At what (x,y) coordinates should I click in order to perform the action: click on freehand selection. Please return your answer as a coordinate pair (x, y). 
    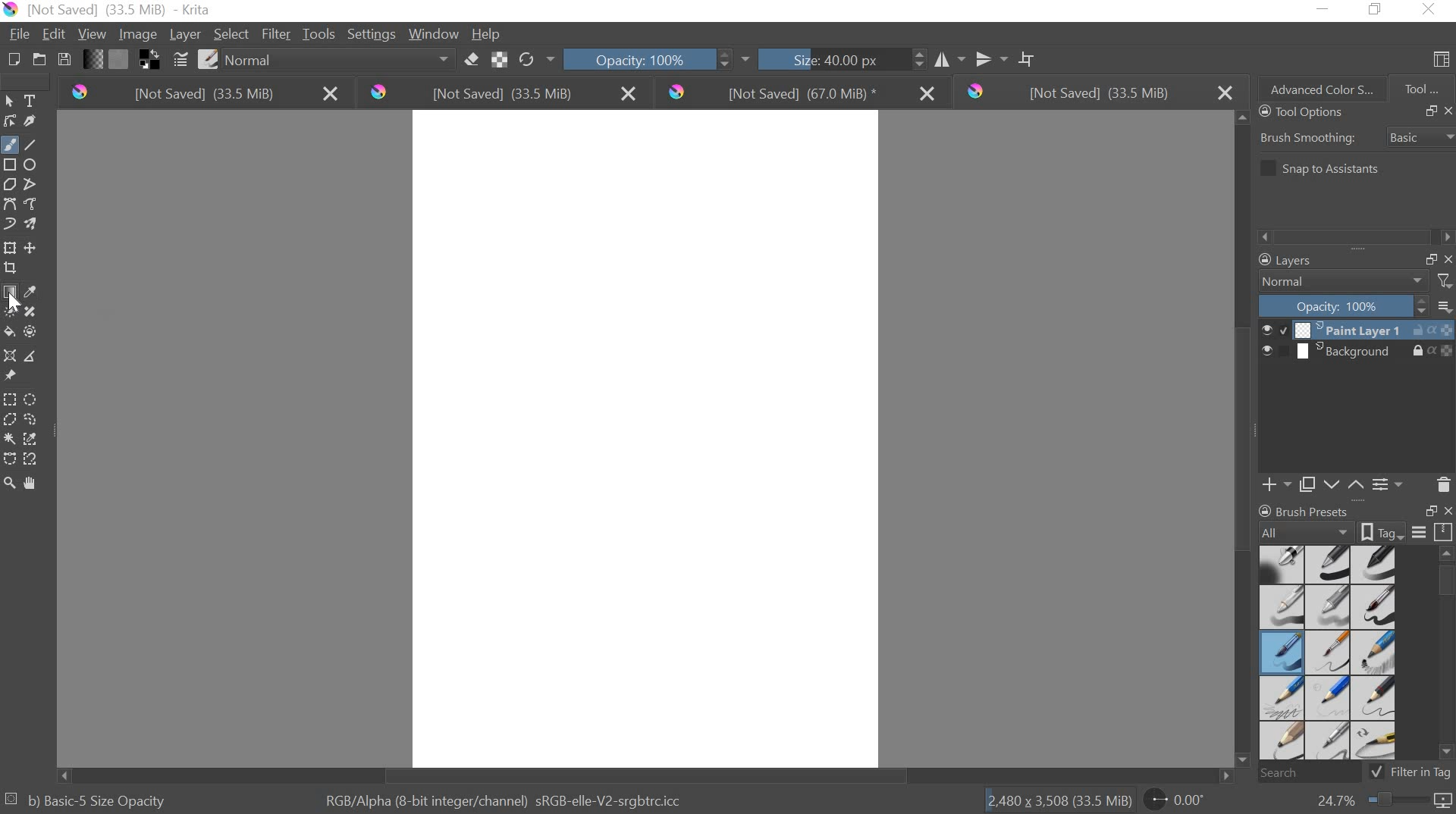
    Looking at the image, I should click on (33, 421).